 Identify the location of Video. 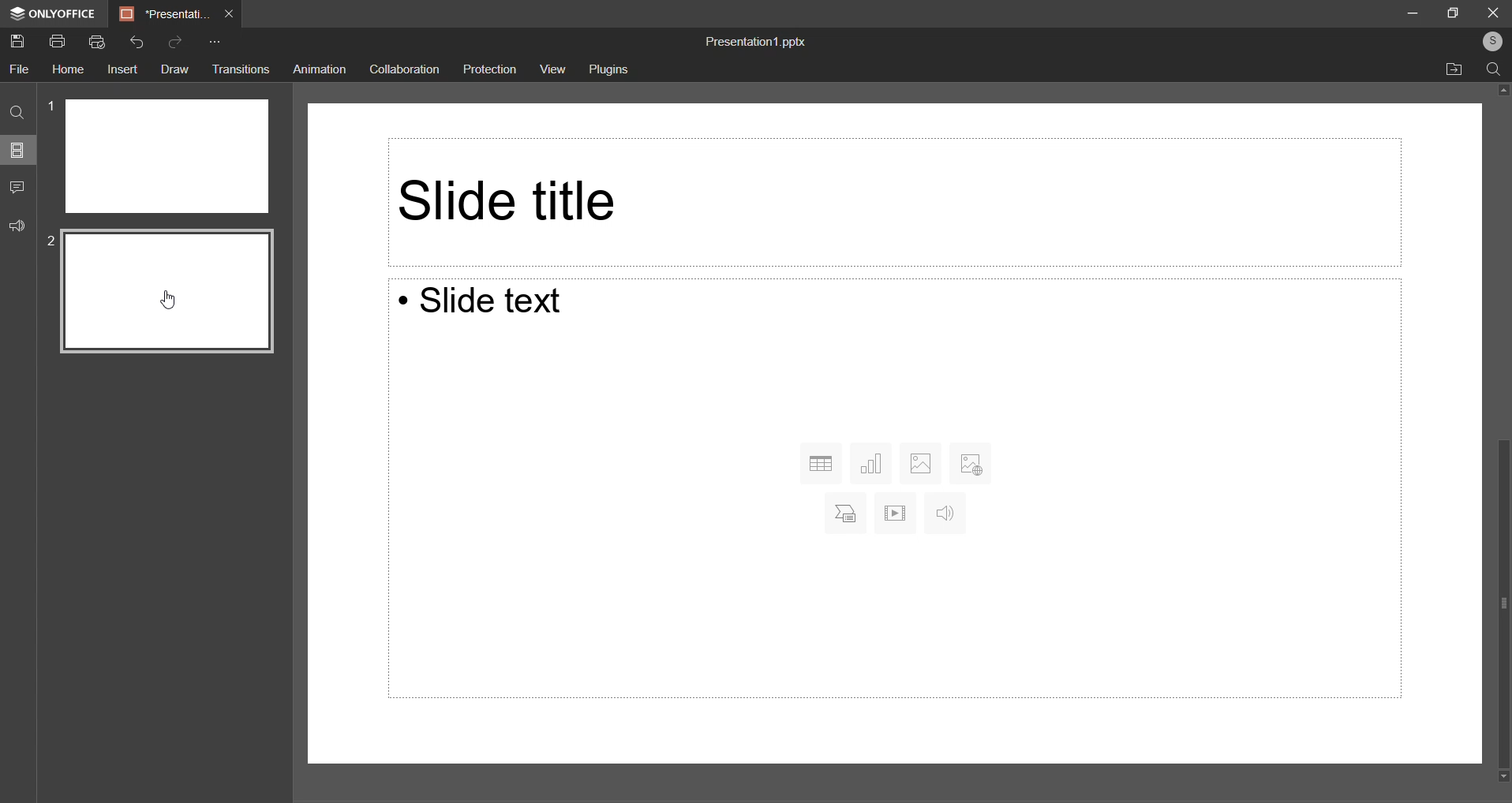
(895, 513).